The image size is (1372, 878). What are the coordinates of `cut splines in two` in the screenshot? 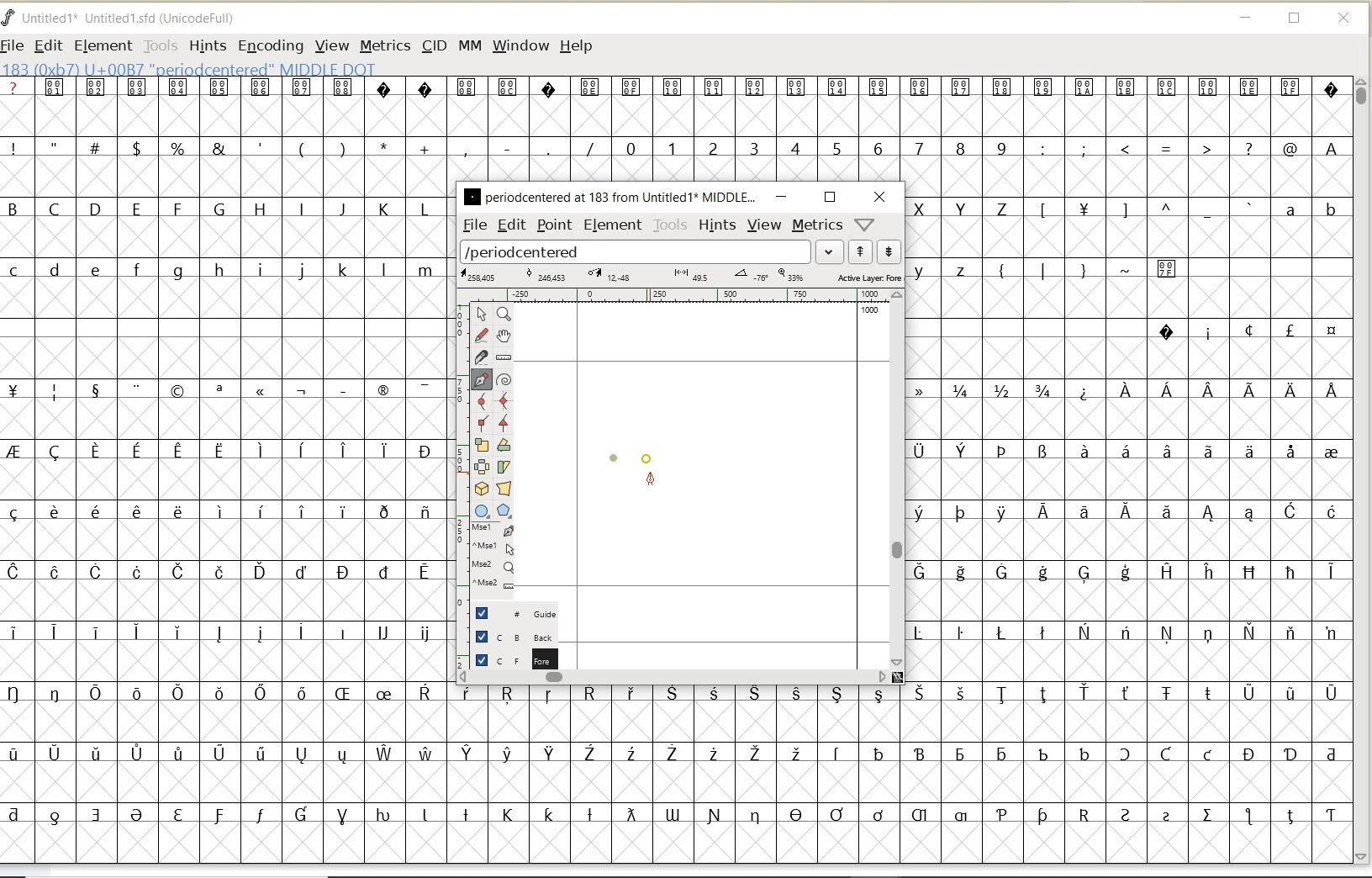 It's located at (481, 357).